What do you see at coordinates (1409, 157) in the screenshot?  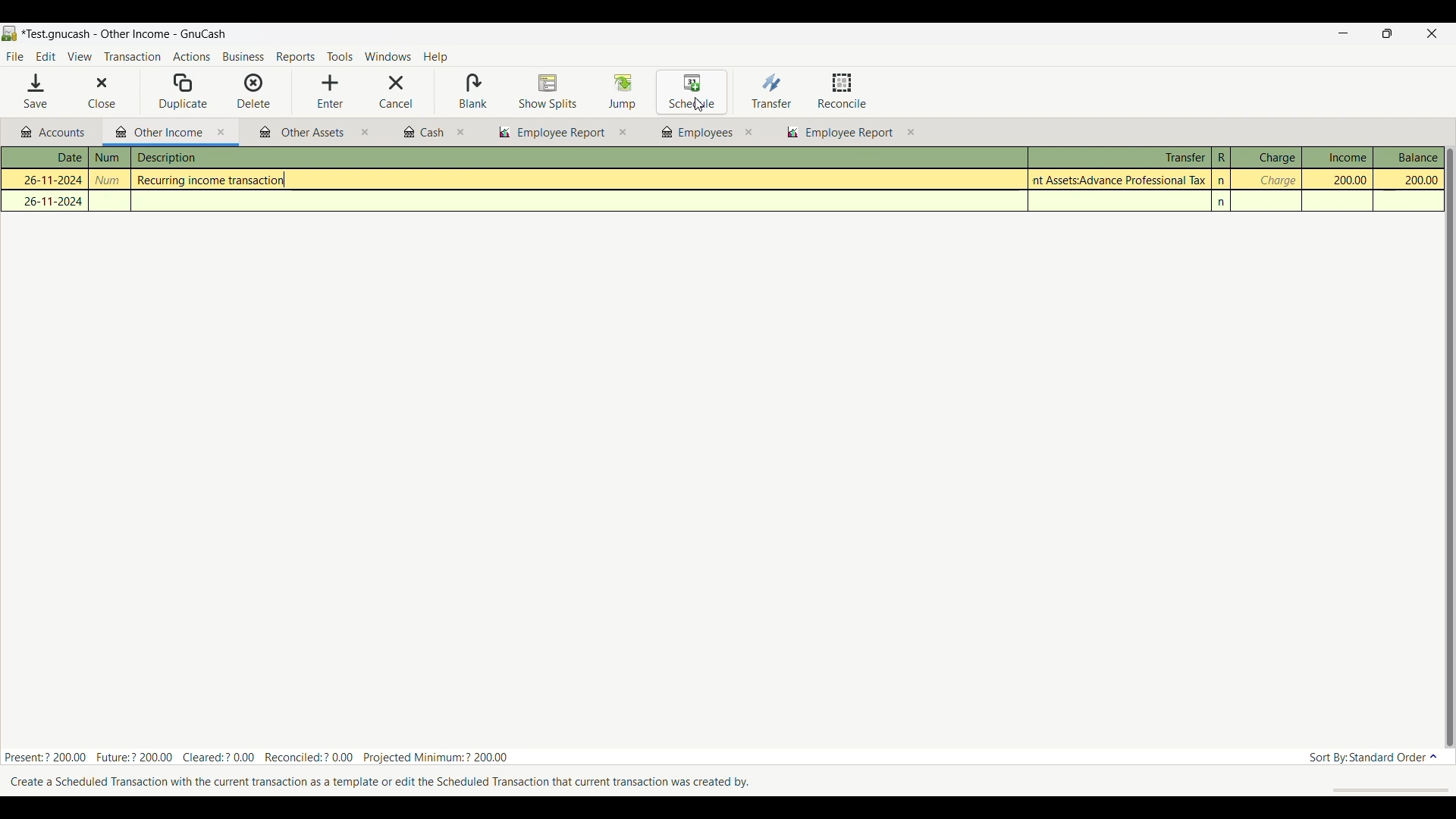 I see `Balance column` at bounding box center [1409, 157].